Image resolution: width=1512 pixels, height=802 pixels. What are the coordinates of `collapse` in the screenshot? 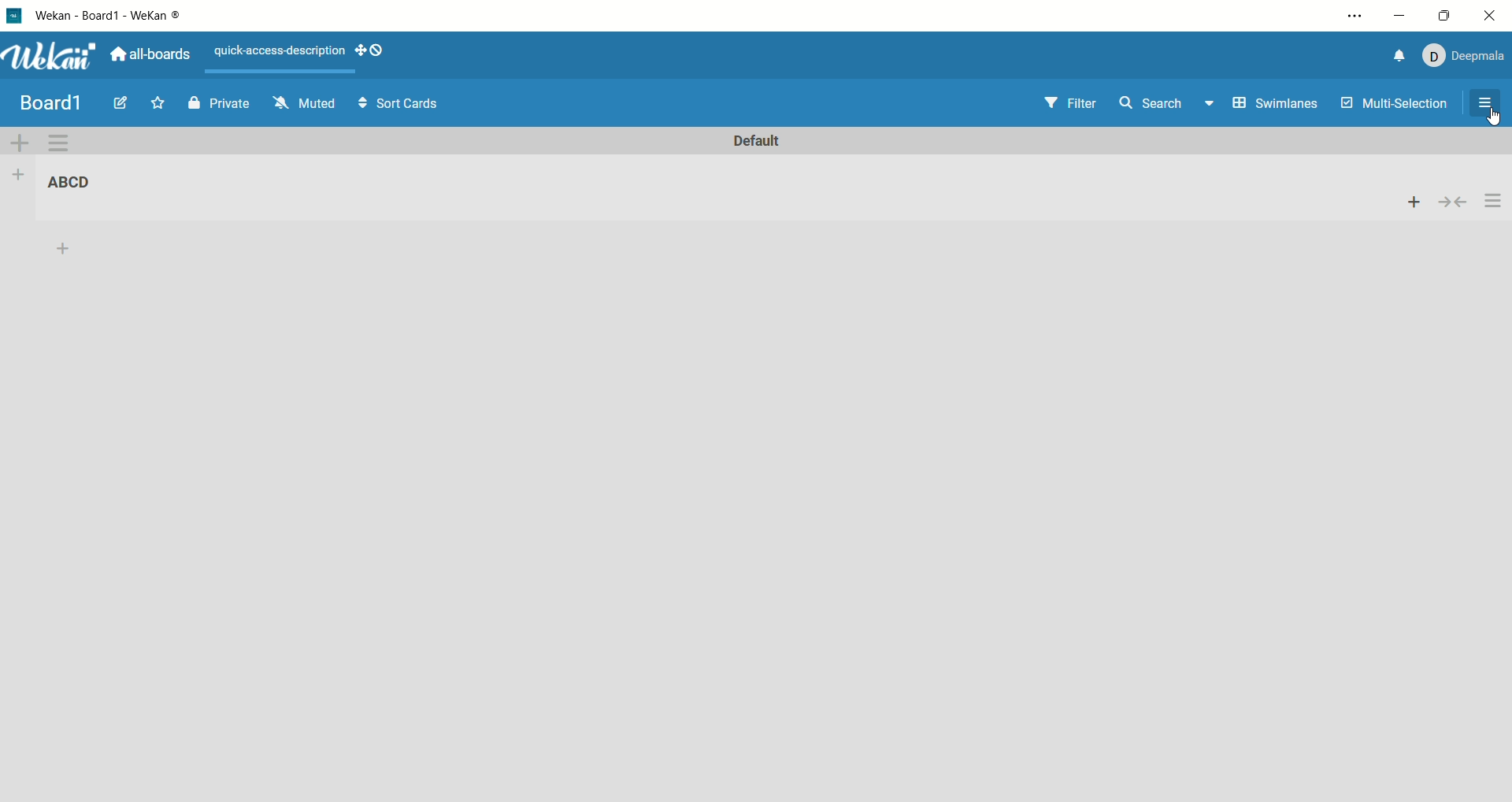 It's located at (1456, 202).